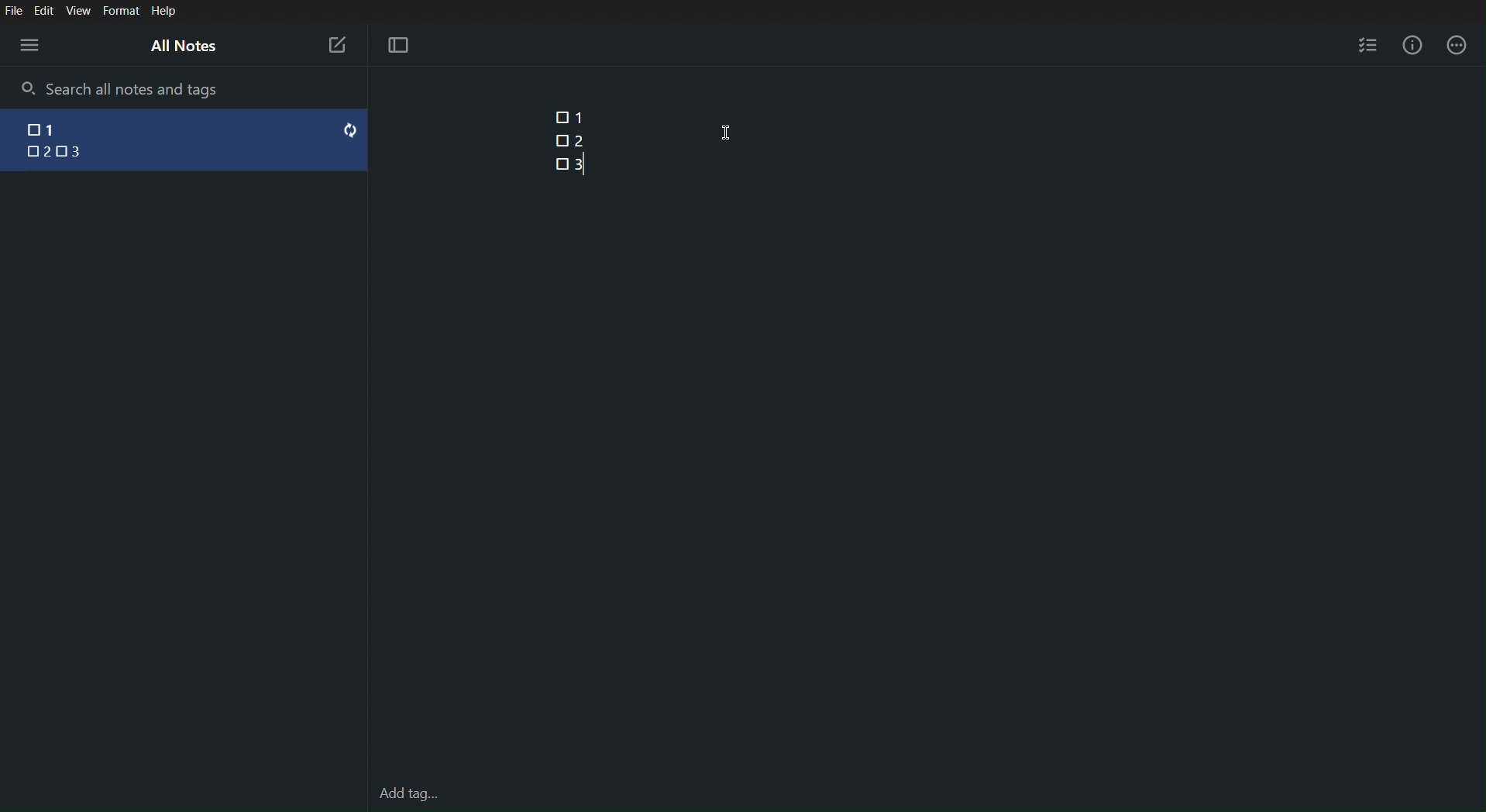 Image resolution: width=1486 pixels, height=812 pixels. What do you see at coordinates (67, 128) in the screenshot?
I see `1` at bounding box center [67, 128].